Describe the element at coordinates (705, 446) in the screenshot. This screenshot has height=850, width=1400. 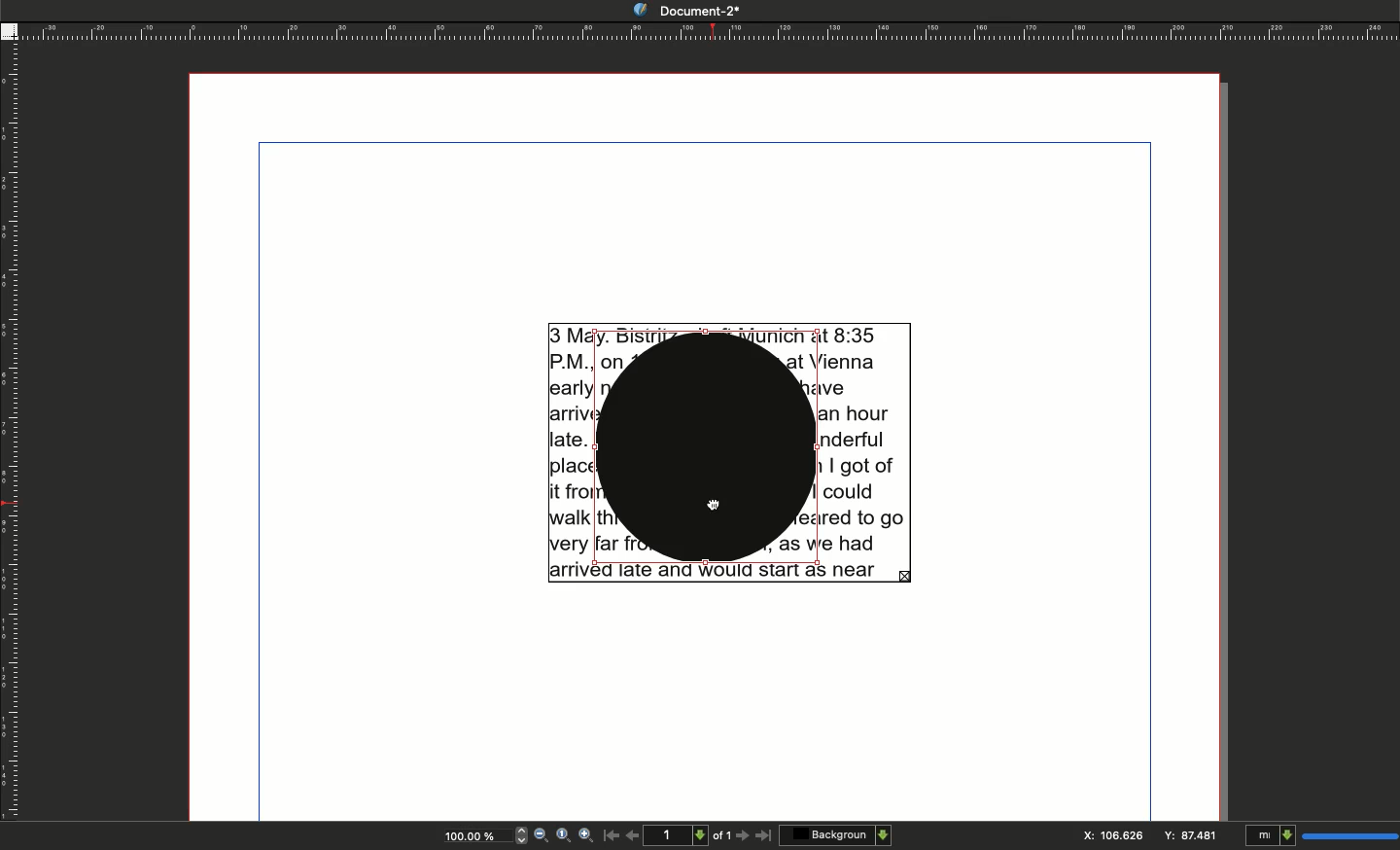
I see `Shape selected` at that location.